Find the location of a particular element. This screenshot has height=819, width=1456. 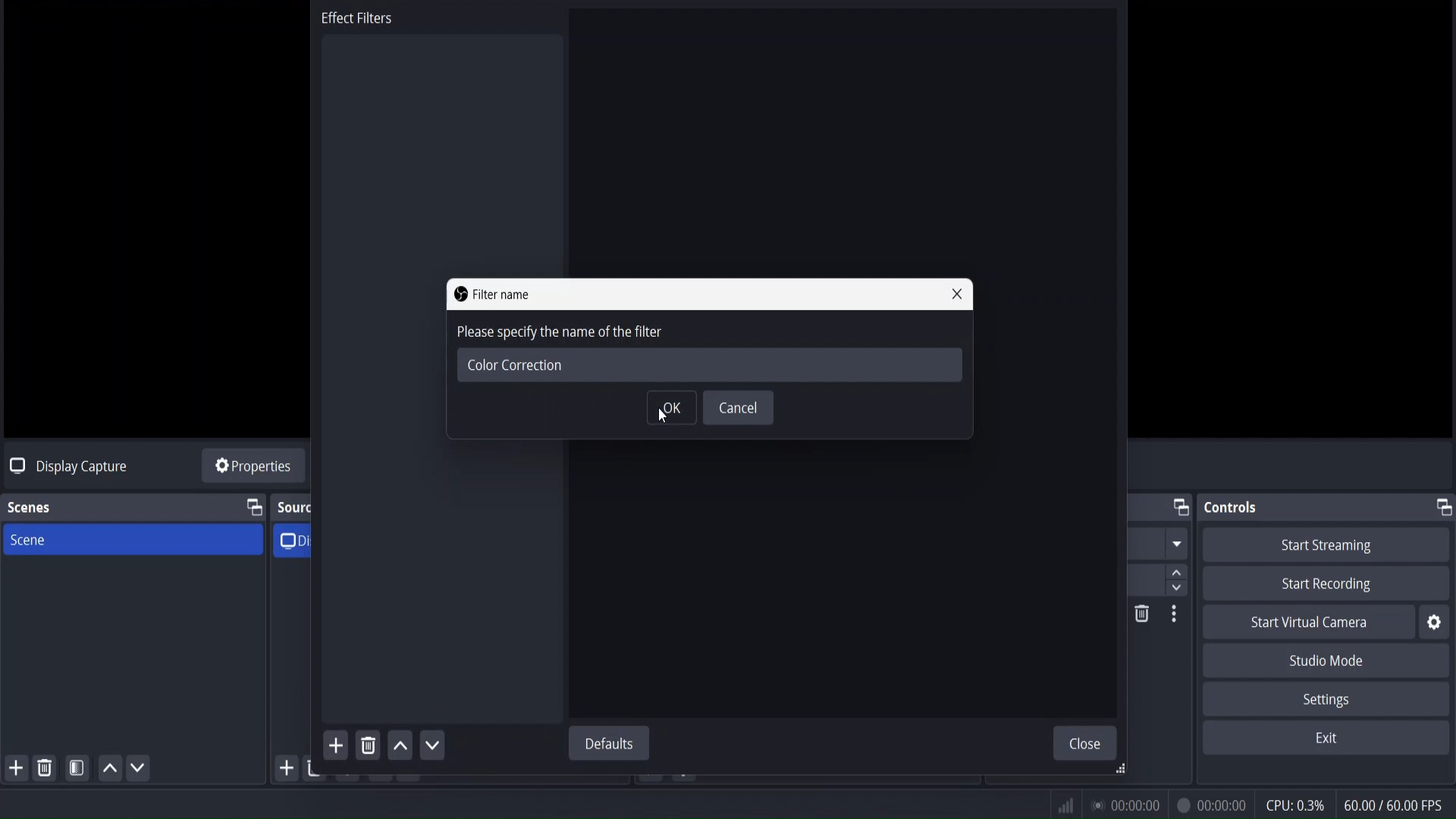

cancel is located at coordinates (739, 409).